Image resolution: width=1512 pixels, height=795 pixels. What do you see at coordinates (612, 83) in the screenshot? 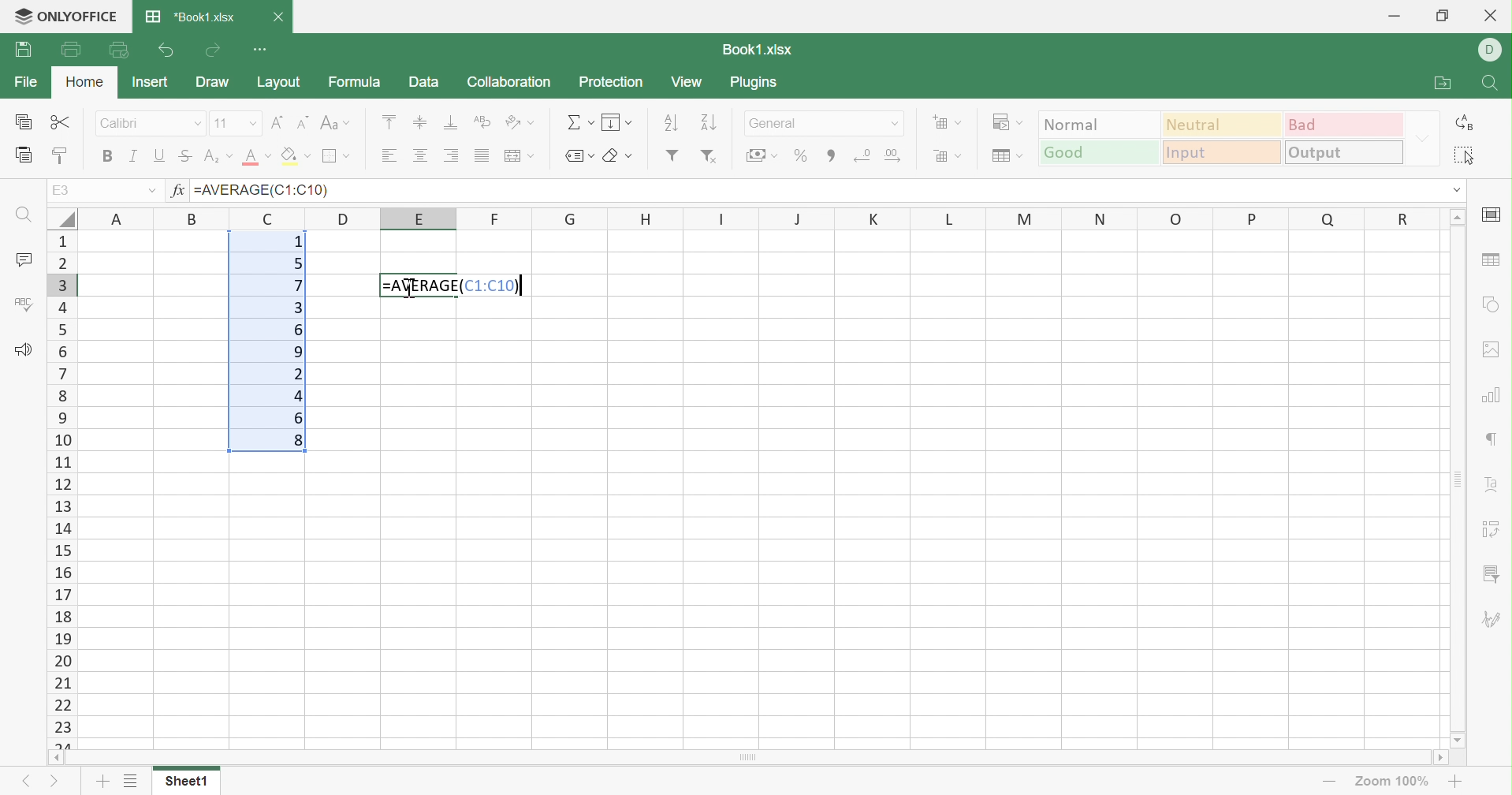
I see `Protection` at bounding box center [612, 83].